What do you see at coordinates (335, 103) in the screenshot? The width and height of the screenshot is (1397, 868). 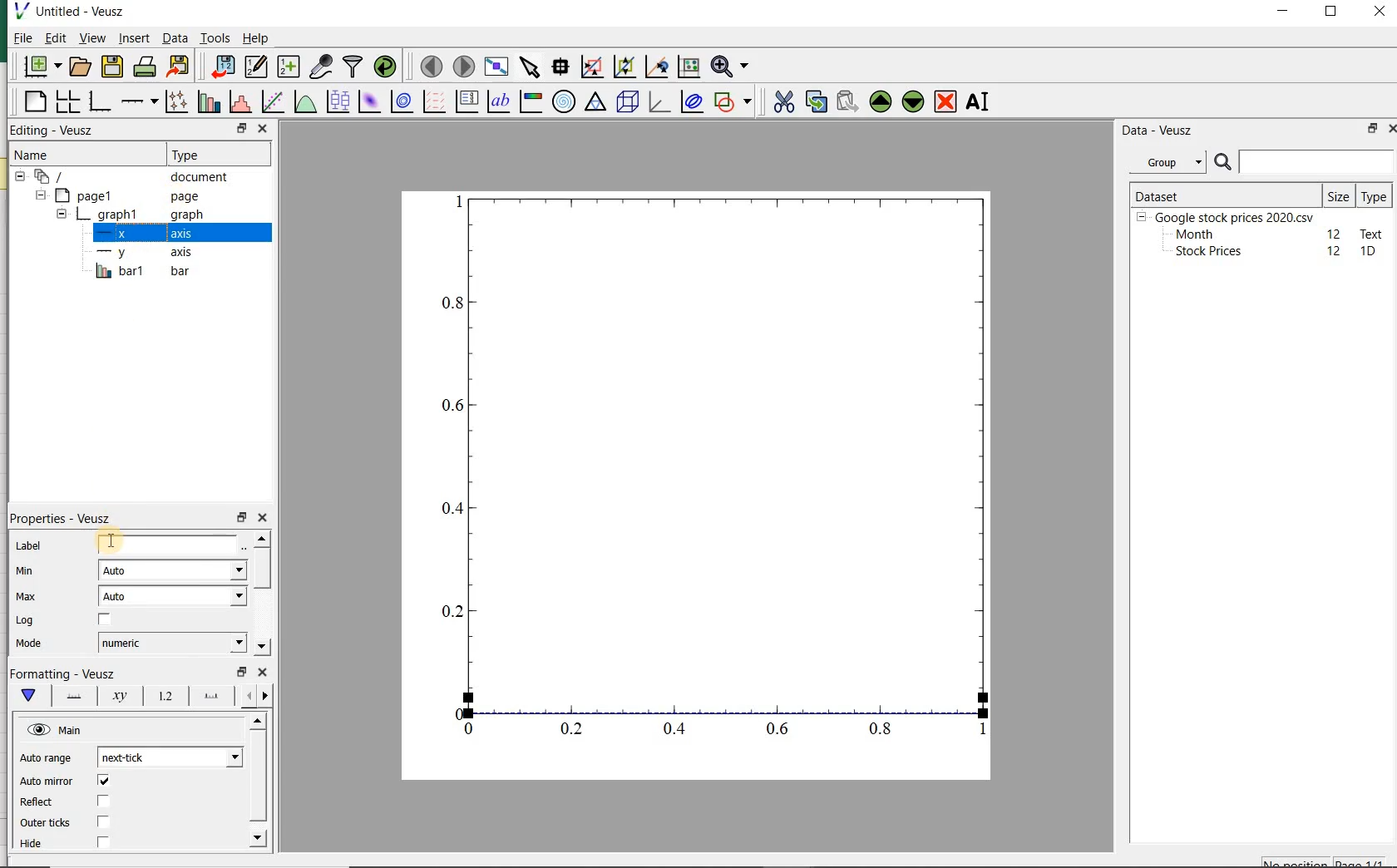 I see `plot box plots` at bounding box center [335, 103].